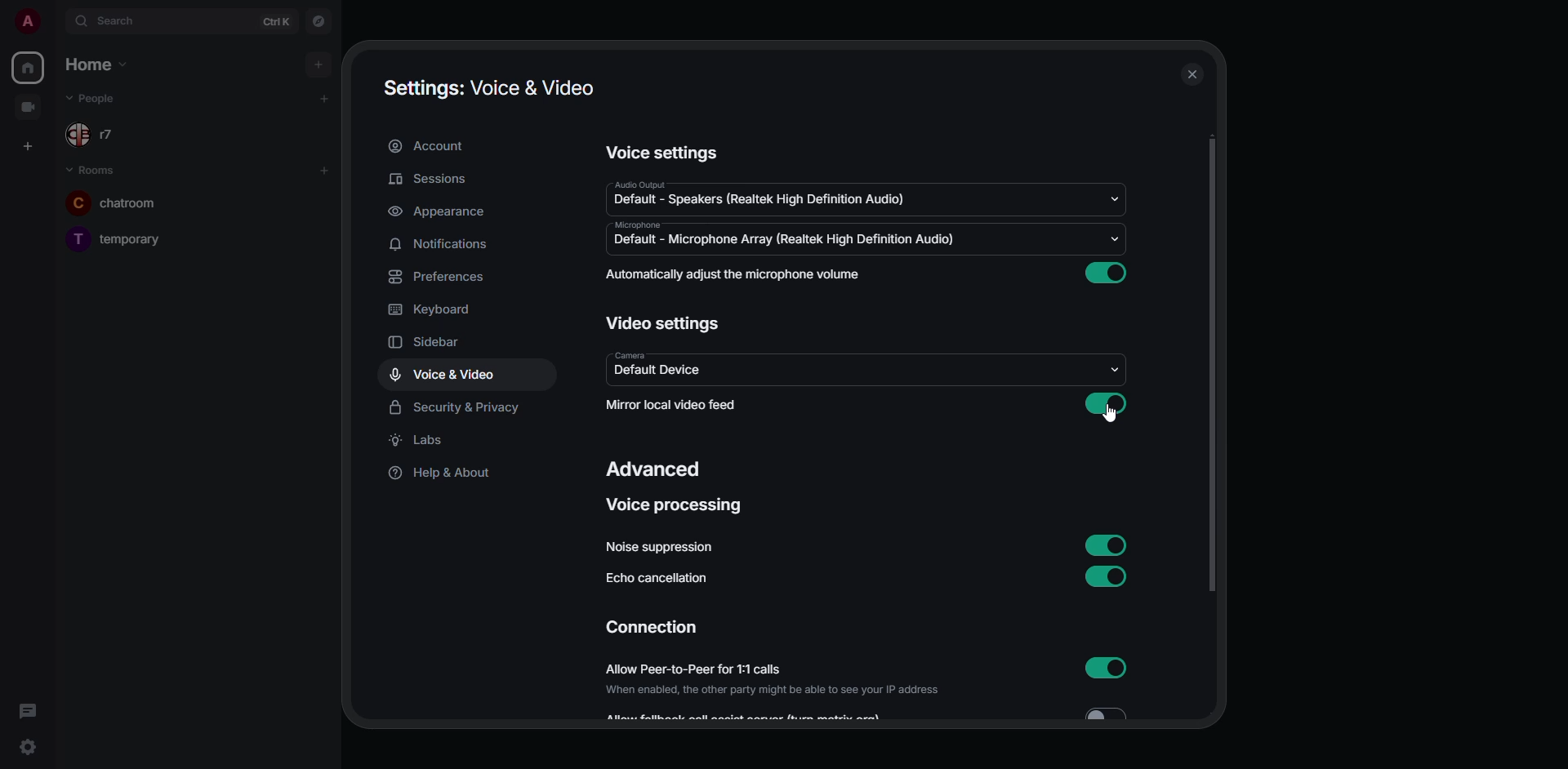 Image resolution: width=1568 pixels, height=769 pixels. What do you see at coordinates (459, 409) in the screenshot?
I see `security & privacy` at bounding box center [459, 409].